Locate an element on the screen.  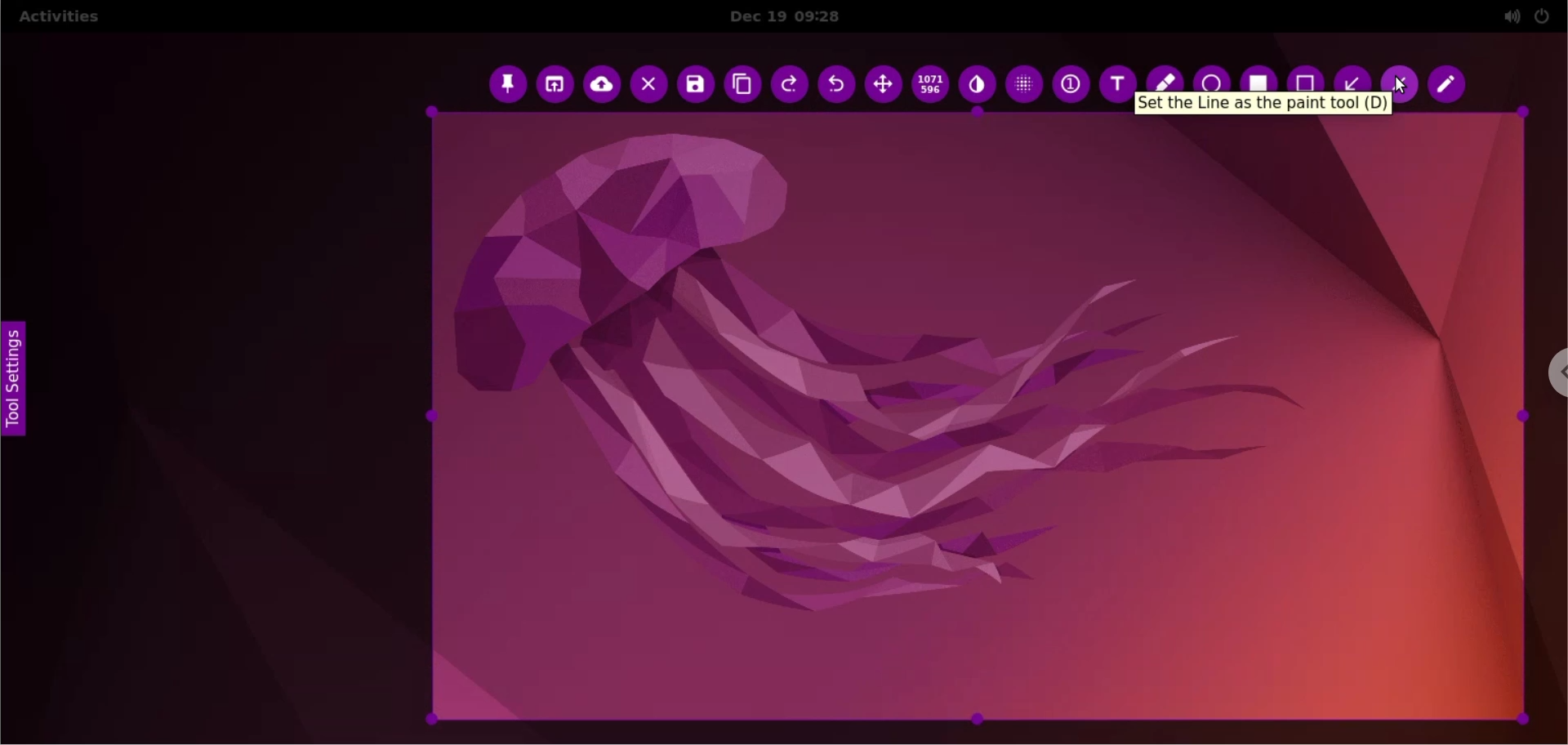
copy to clipboard  is located at coordinates (744, 84).